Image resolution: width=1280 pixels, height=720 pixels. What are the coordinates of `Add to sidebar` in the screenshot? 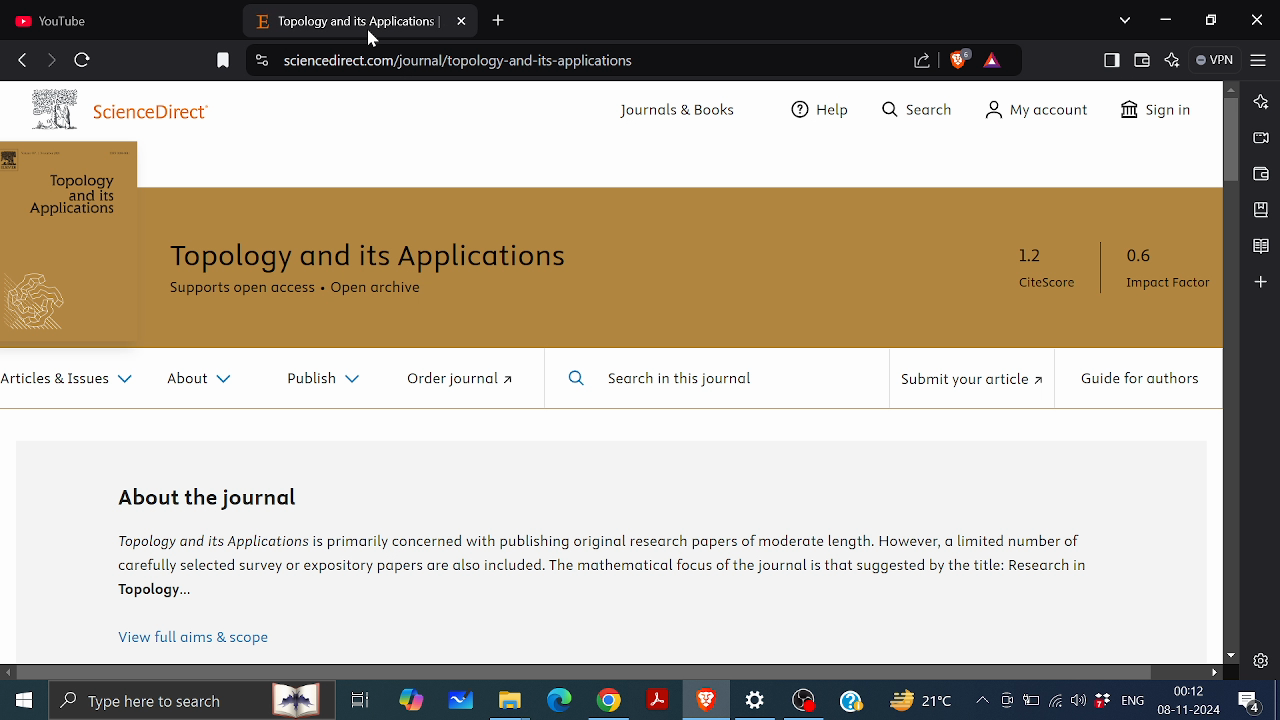 It's located at (1260, 281).